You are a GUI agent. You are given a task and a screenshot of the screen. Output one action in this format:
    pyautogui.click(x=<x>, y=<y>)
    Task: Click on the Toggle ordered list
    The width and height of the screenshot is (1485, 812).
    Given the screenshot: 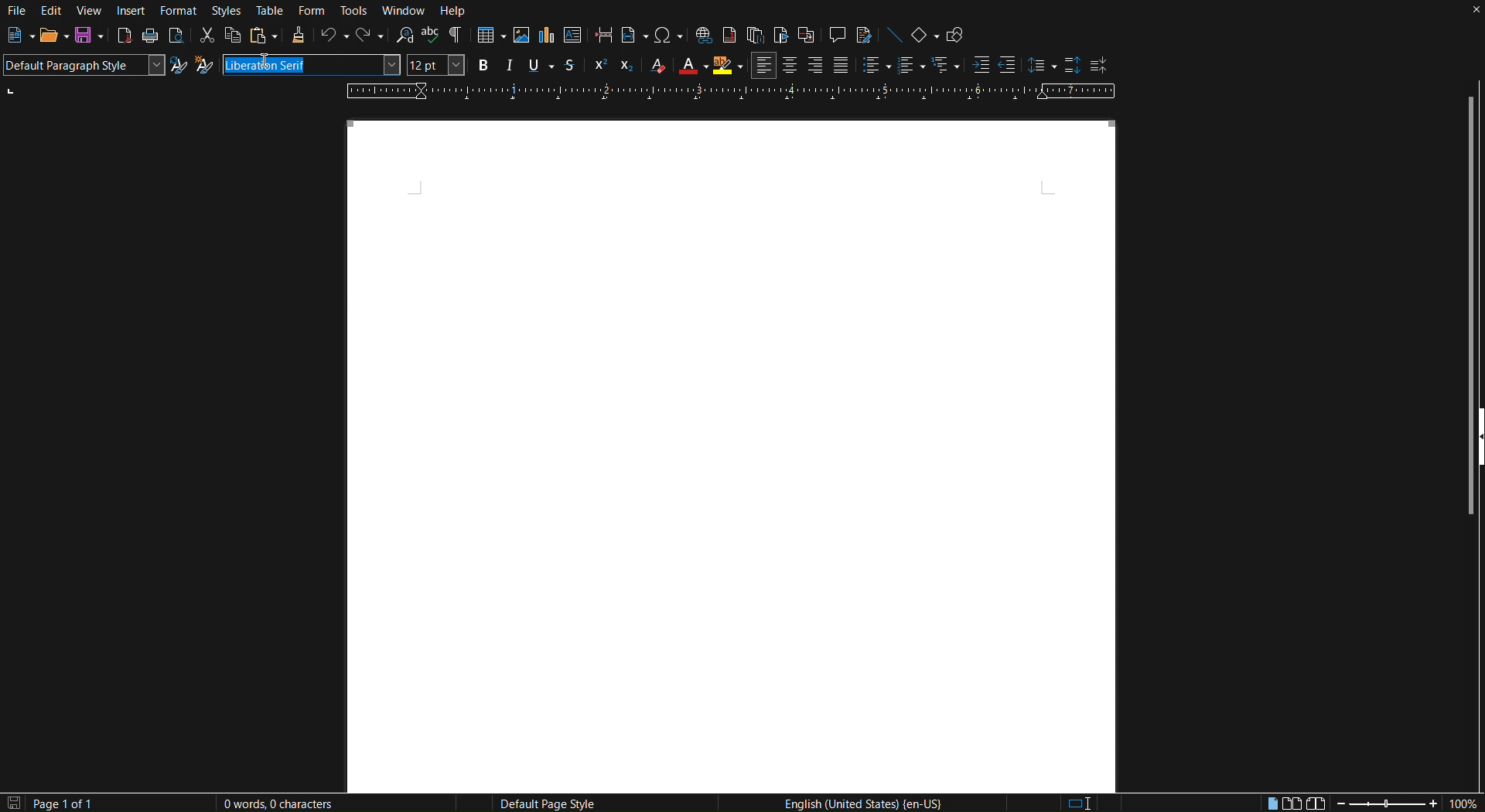 What is the action you would take?
    pyautogui.click(x=910, y=67)
    